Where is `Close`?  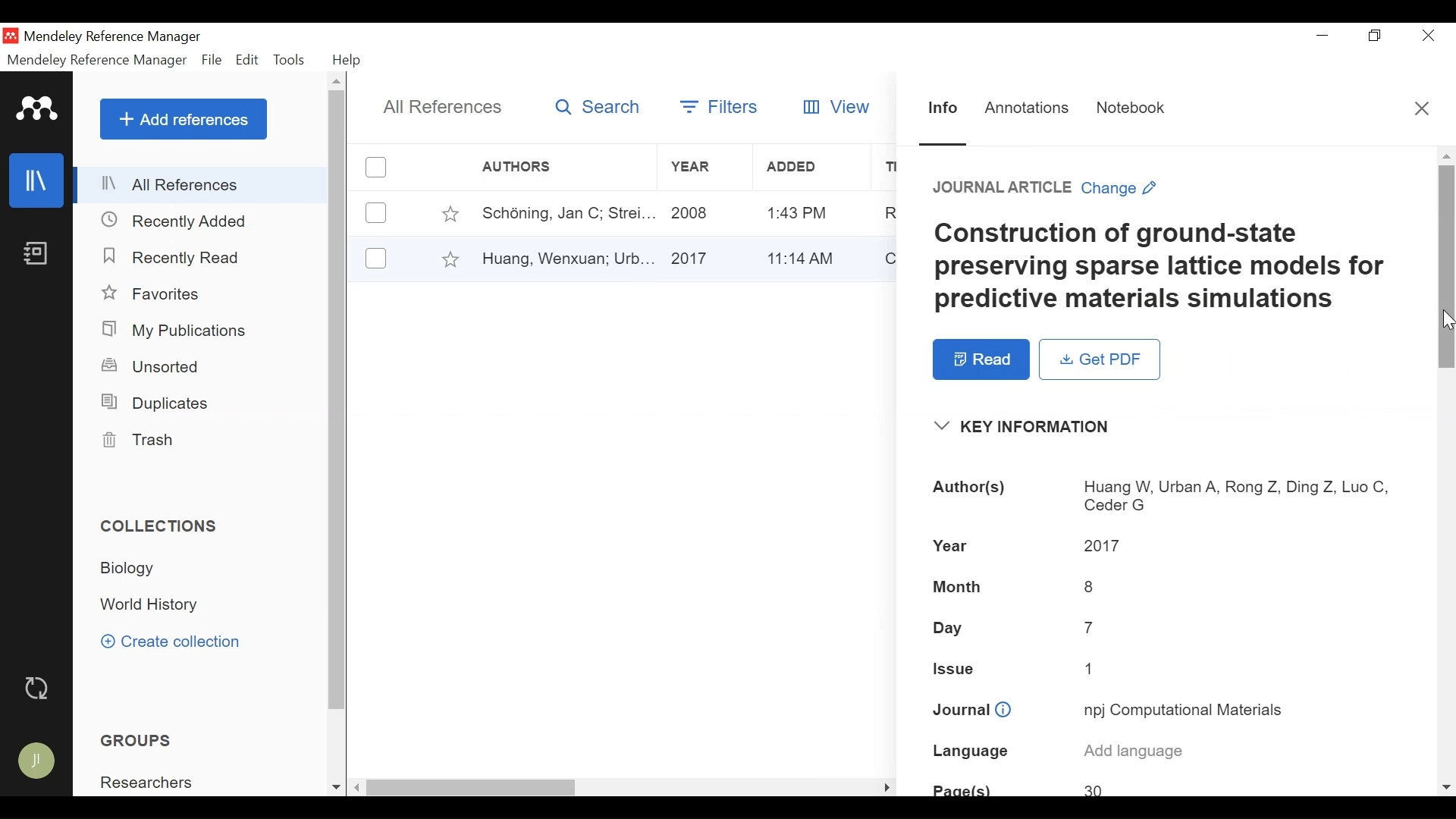 Close is located at coordinates (1423, 109).